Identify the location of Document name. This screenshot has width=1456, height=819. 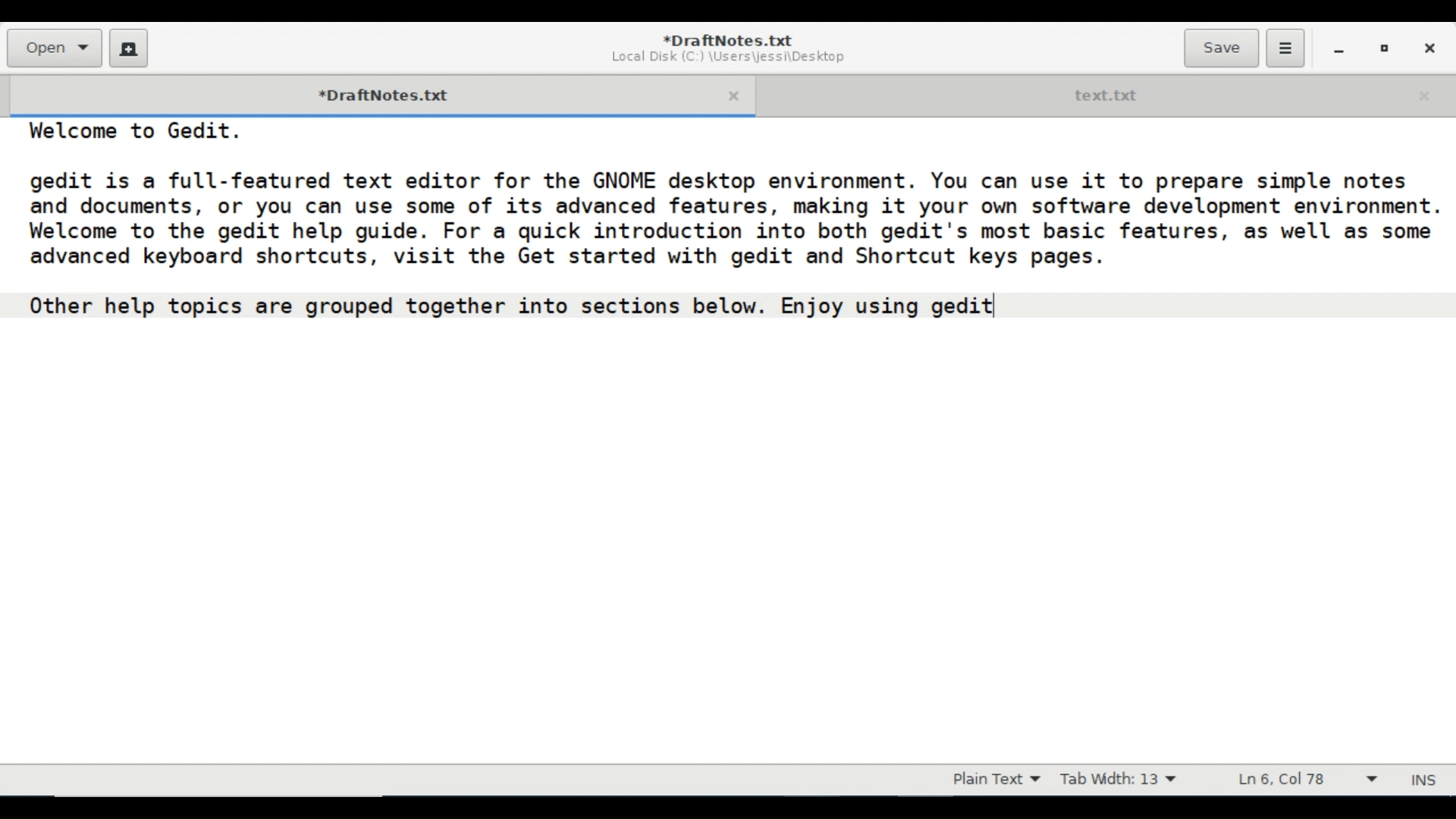
(730, 39).